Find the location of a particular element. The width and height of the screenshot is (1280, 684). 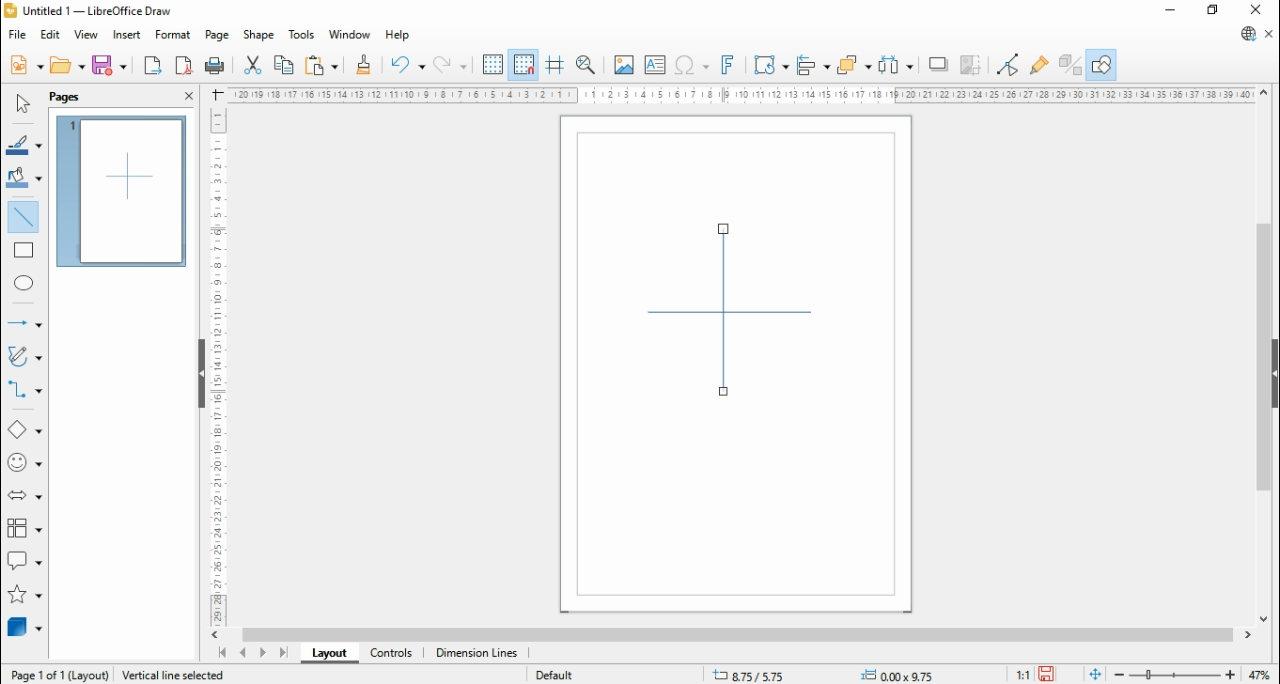

minimize is located at coordinates (1171, 12).